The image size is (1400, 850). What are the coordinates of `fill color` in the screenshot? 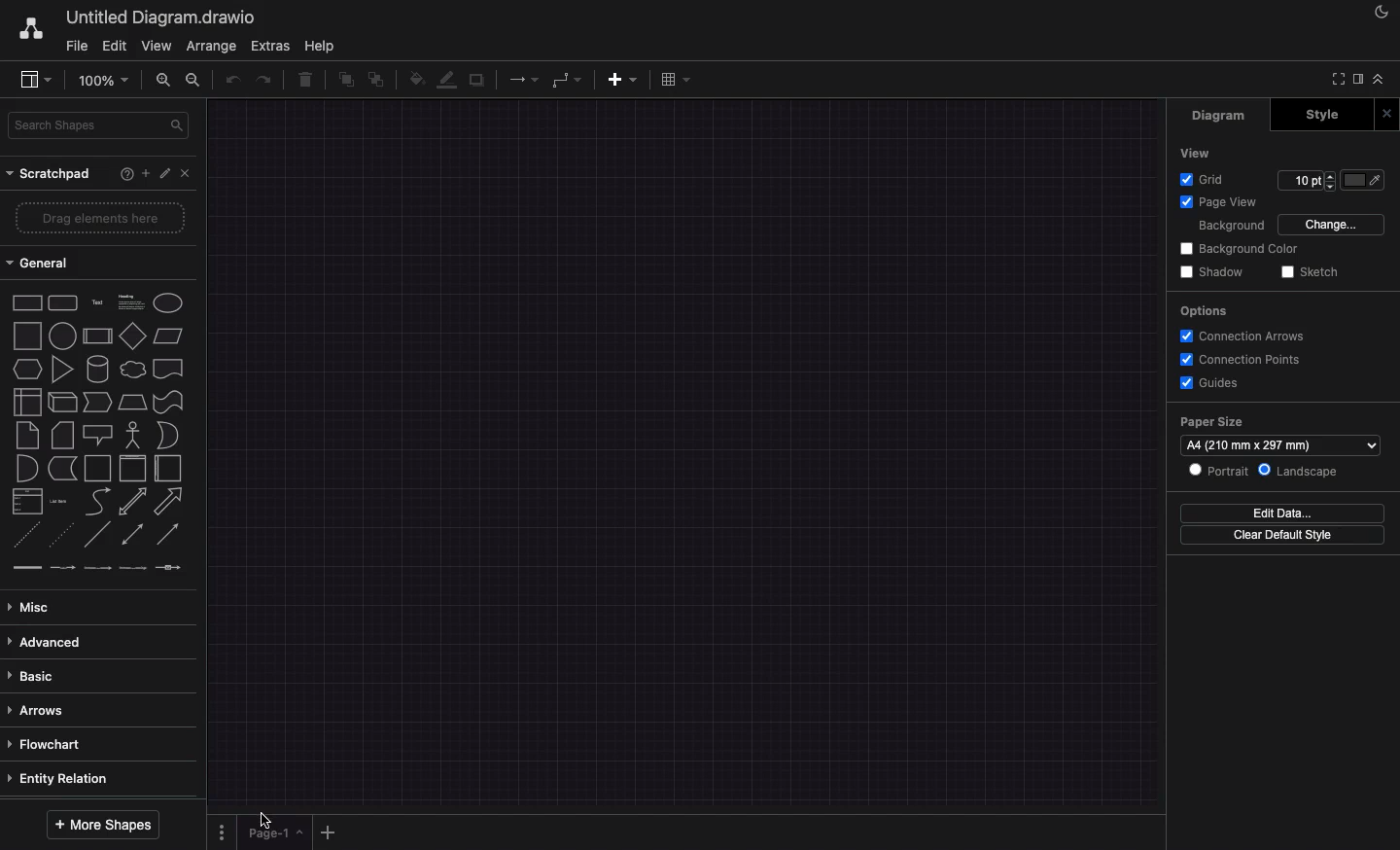 It's located at (1362, 180).